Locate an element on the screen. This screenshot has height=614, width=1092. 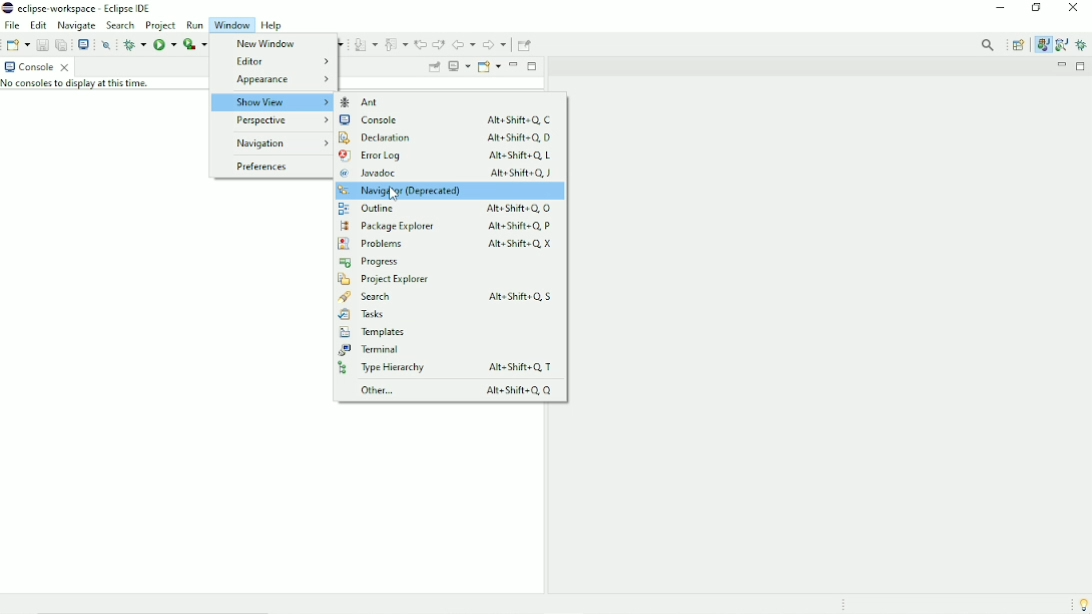
Minimize is located at coordinates (1060, 66).